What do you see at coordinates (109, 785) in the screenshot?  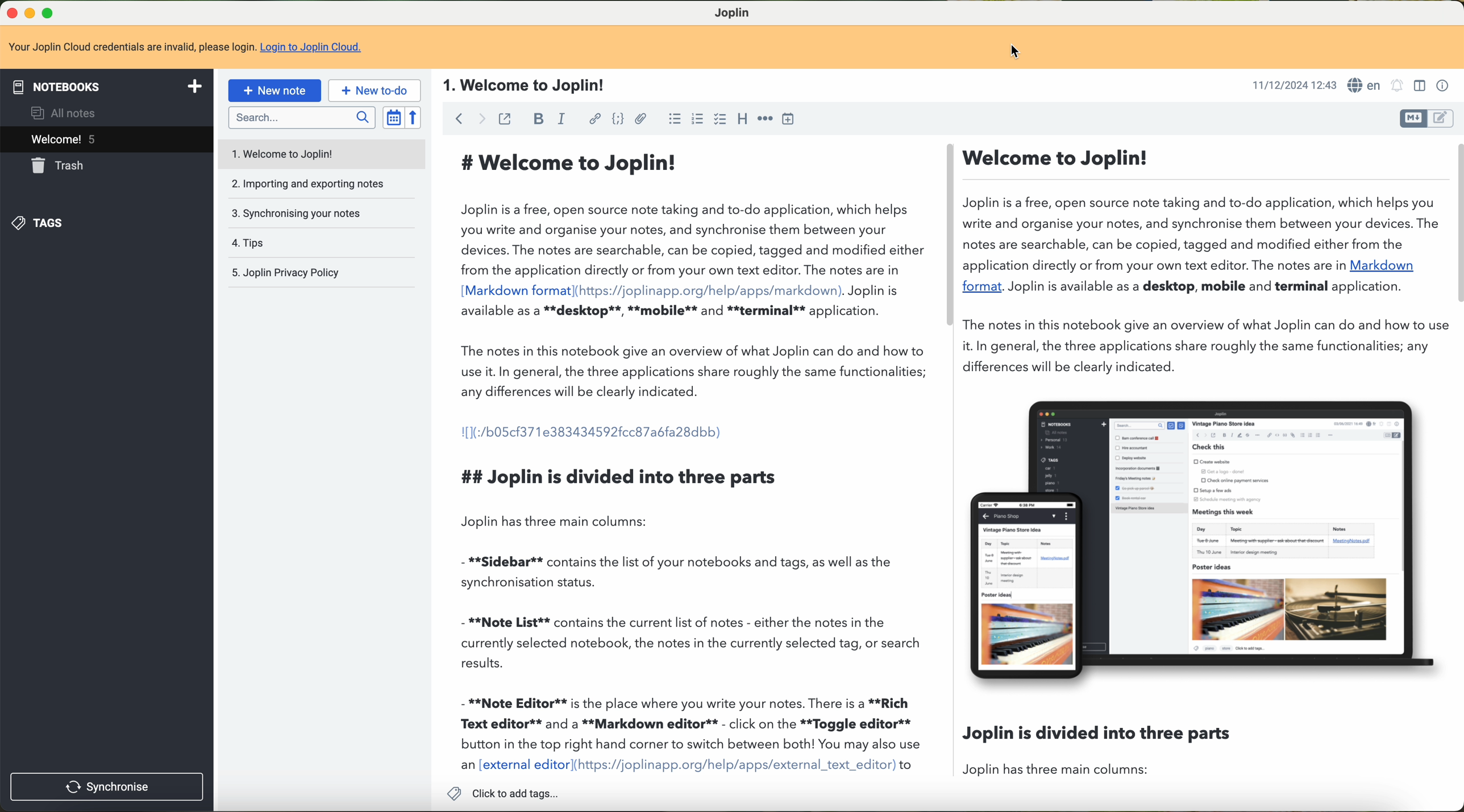 I see `Synchromise` at bounding box center [109, 785].